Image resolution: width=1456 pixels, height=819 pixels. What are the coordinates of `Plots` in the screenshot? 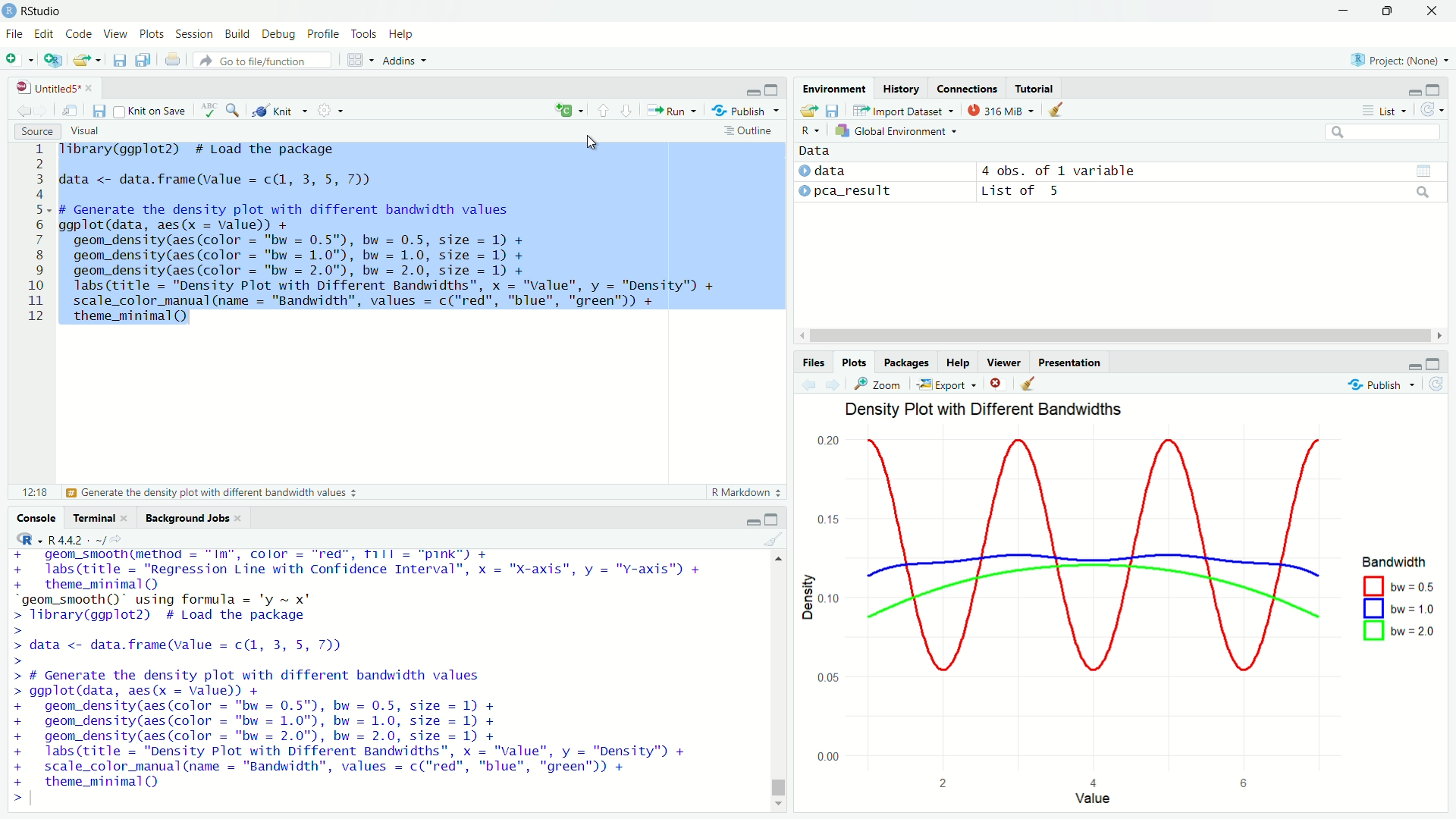 It's located at (151, 33).